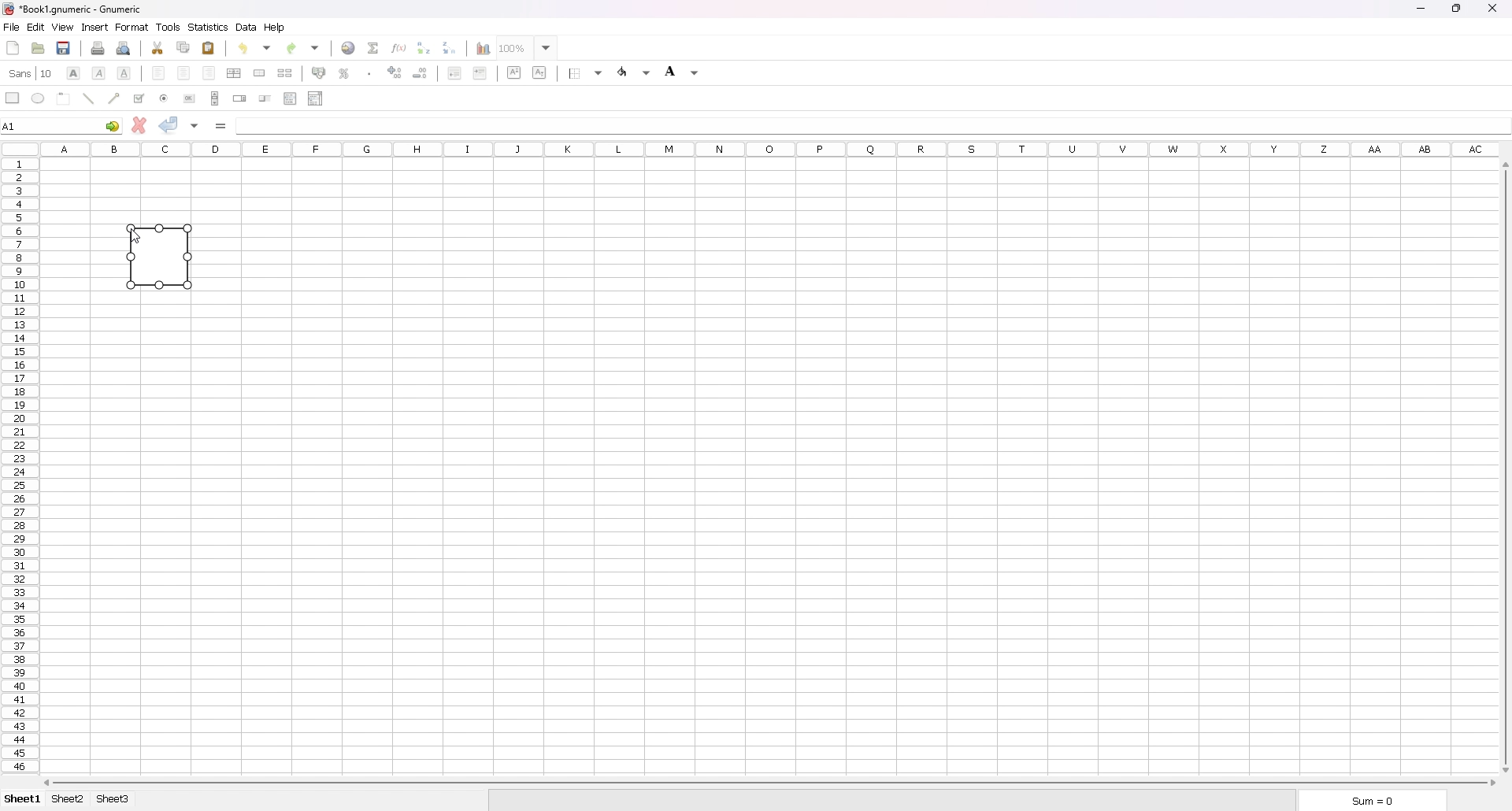 The height and width of the screenshot is (811, 1512). What do you see at coordinates (12, 28) in the screenshot?
I see `file` at bounding box center [12, 28].